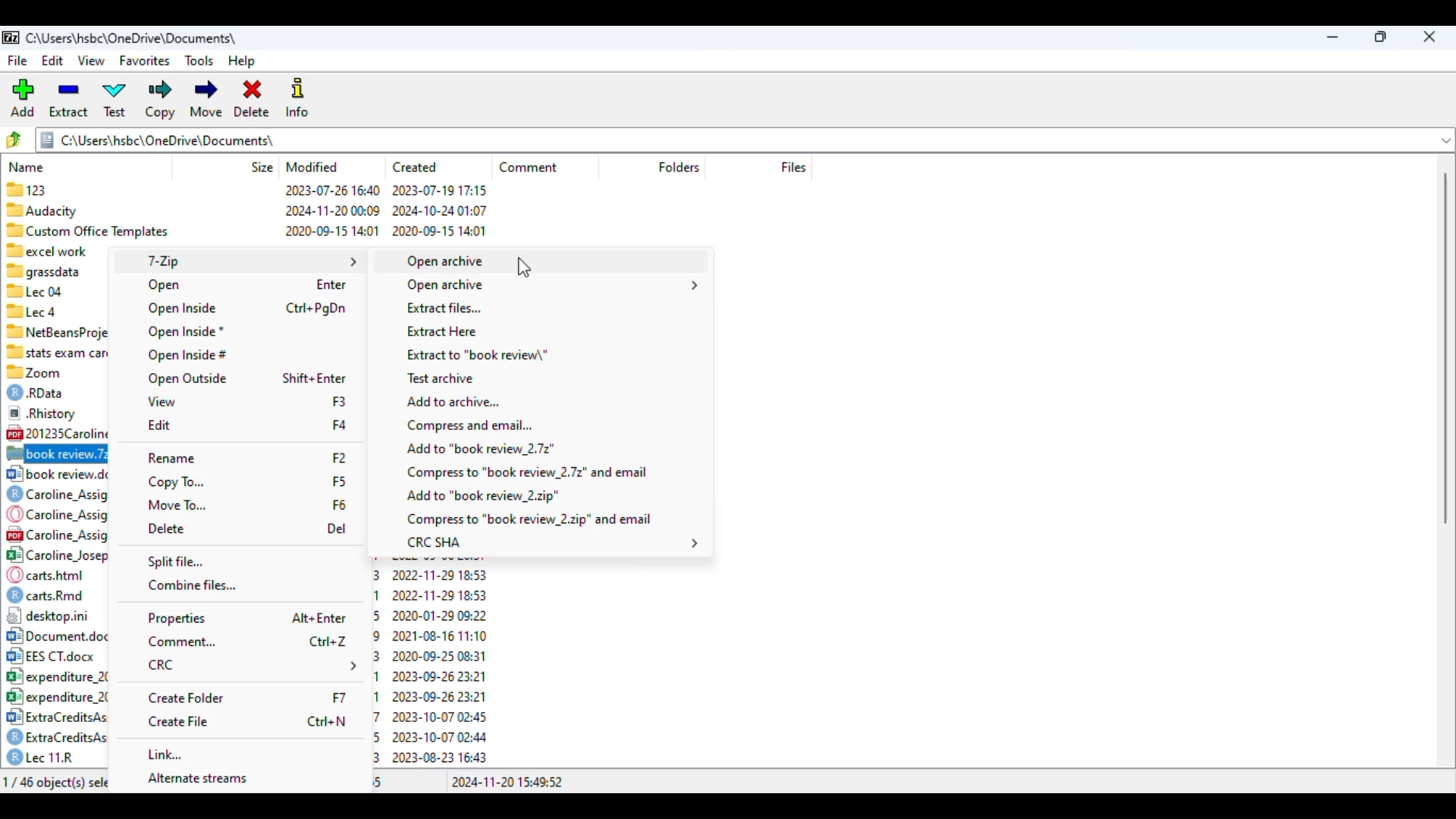 The width and height of the screenshot is (1456, 819). Describe the element at coordinates (57, 311) in the screenshot. I see `®llecd 2023-07-26 16:43 2023-07-26 16:41` at that location.